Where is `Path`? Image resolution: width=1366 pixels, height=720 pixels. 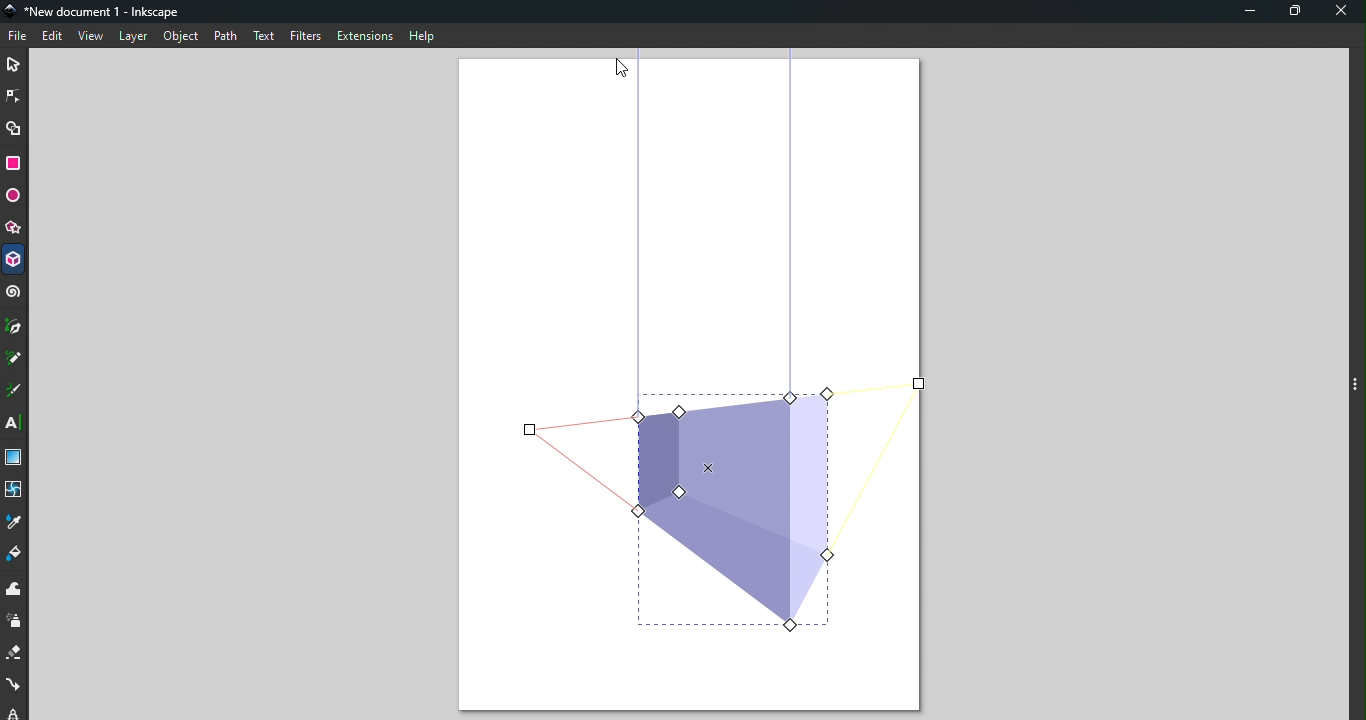
Path is located at coordinates (226, 36).